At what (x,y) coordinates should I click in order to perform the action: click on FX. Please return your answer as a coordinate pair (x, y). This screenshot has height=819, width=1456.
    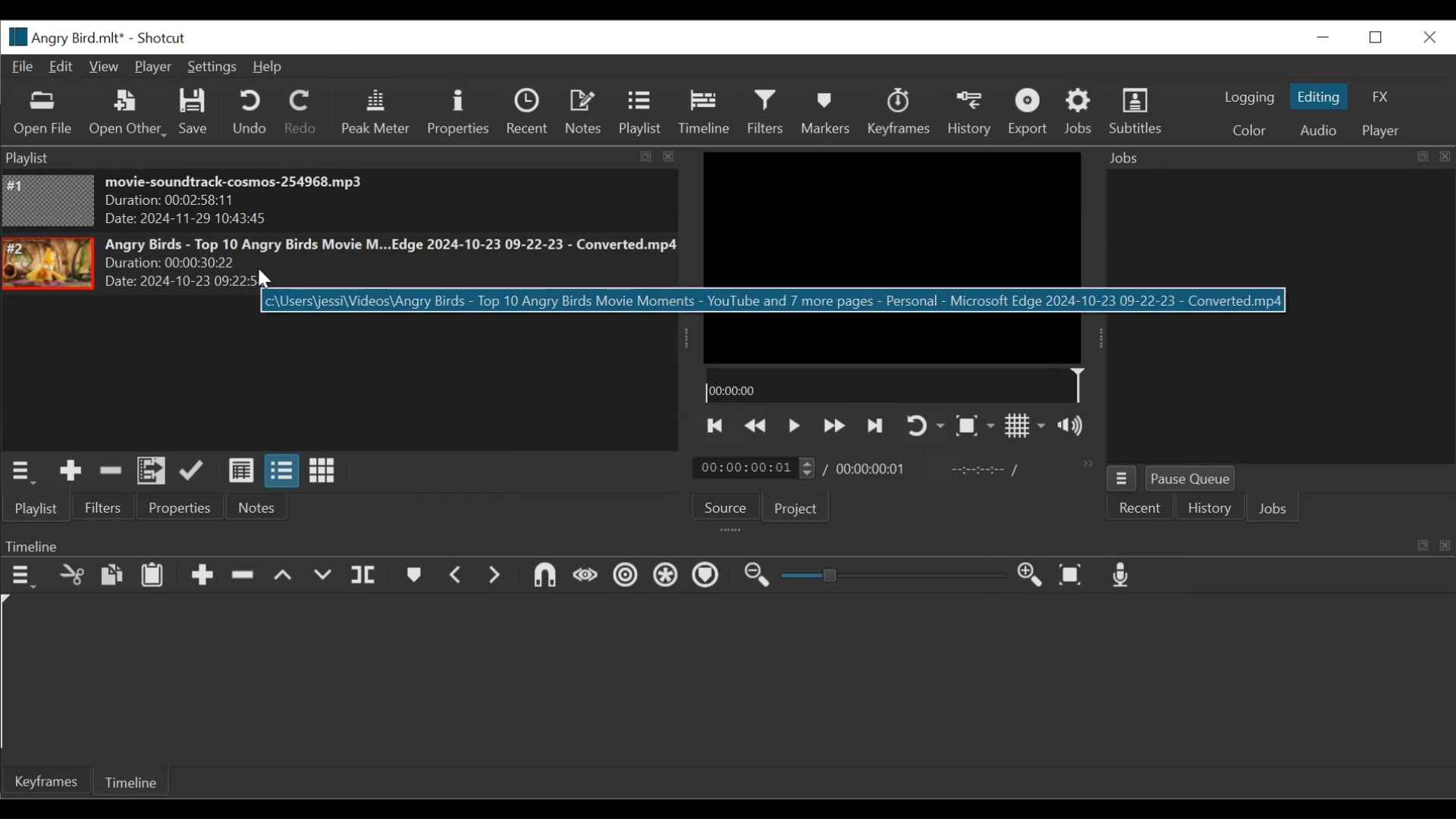
    Looking at the image, I should click on (1382, 99).